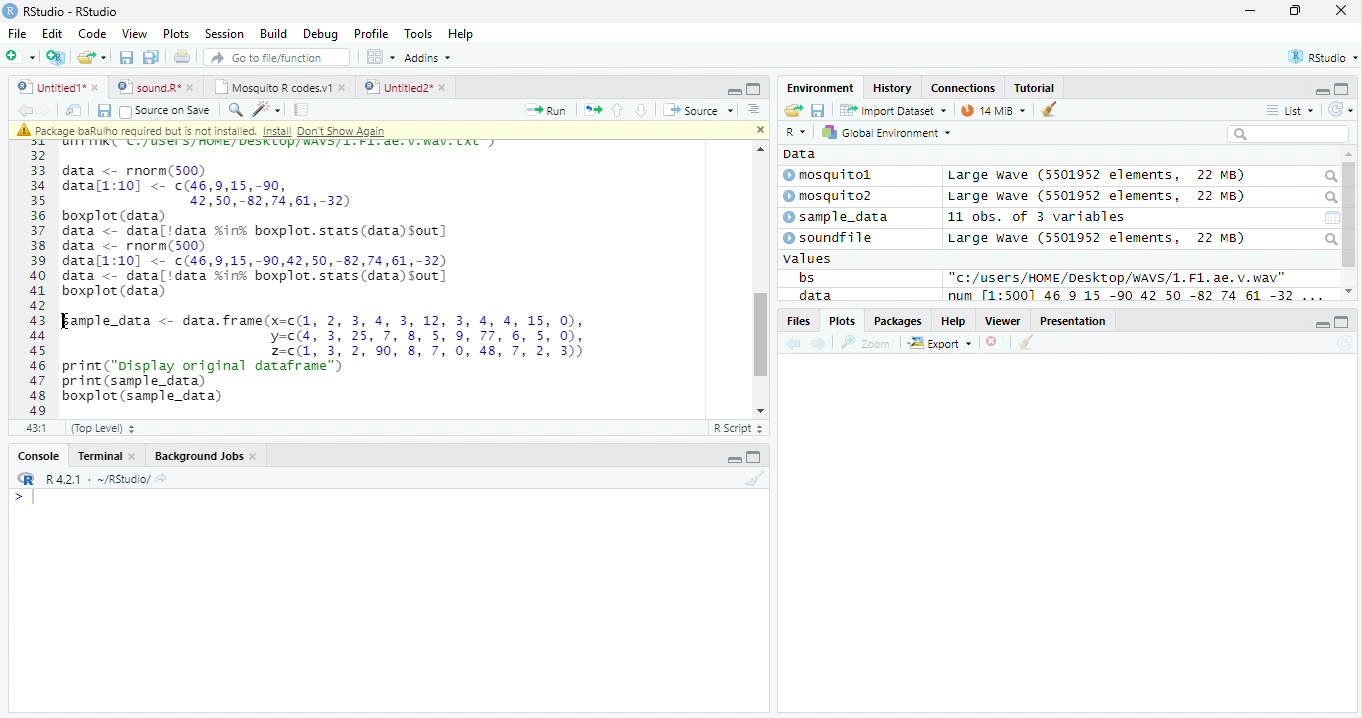  What do you see at coordinates (1341, 110) in the screenshot?
I see `Refresh` at bounding box center [1341, 110].